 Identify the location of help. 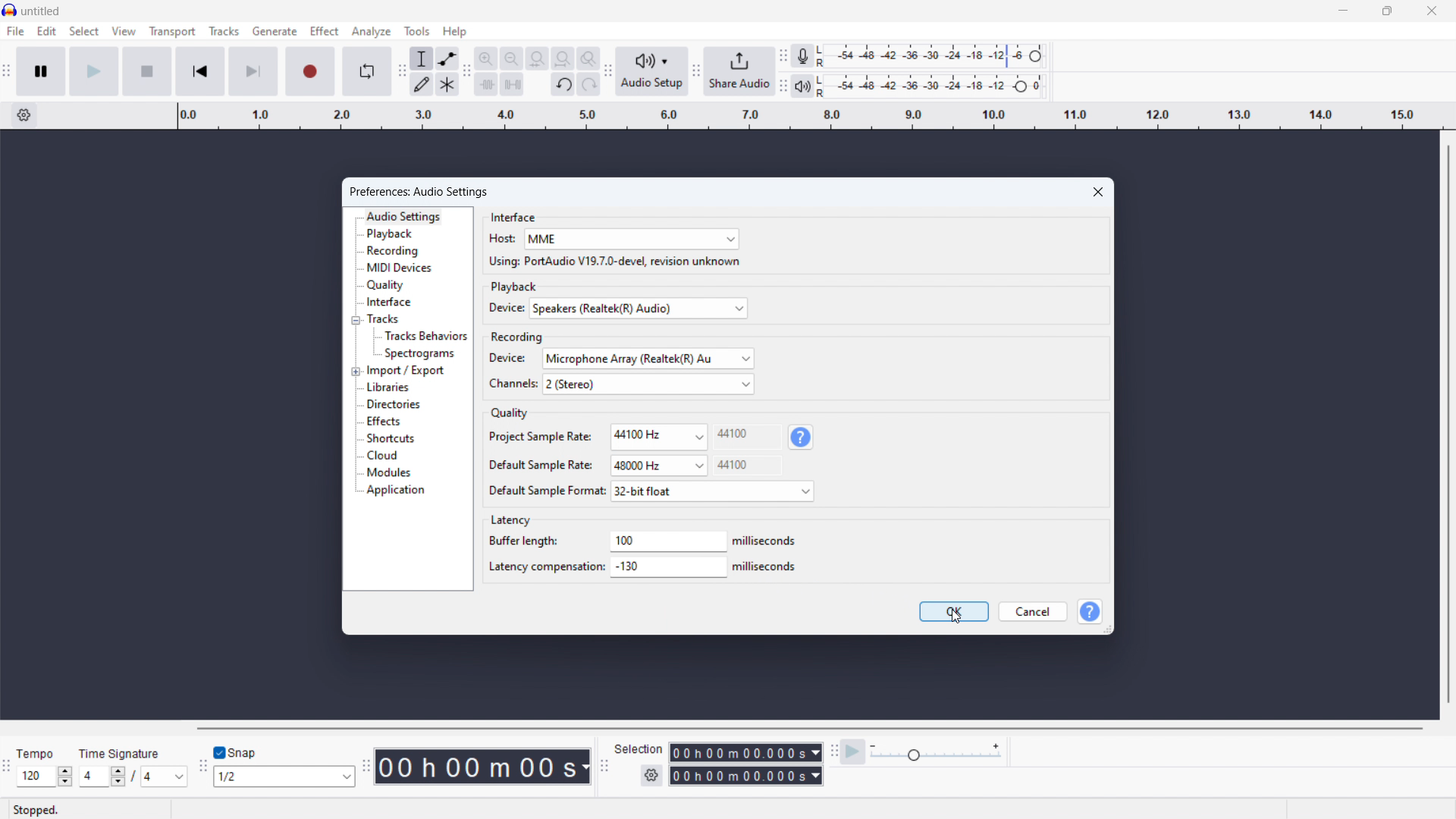
(1091, 611).